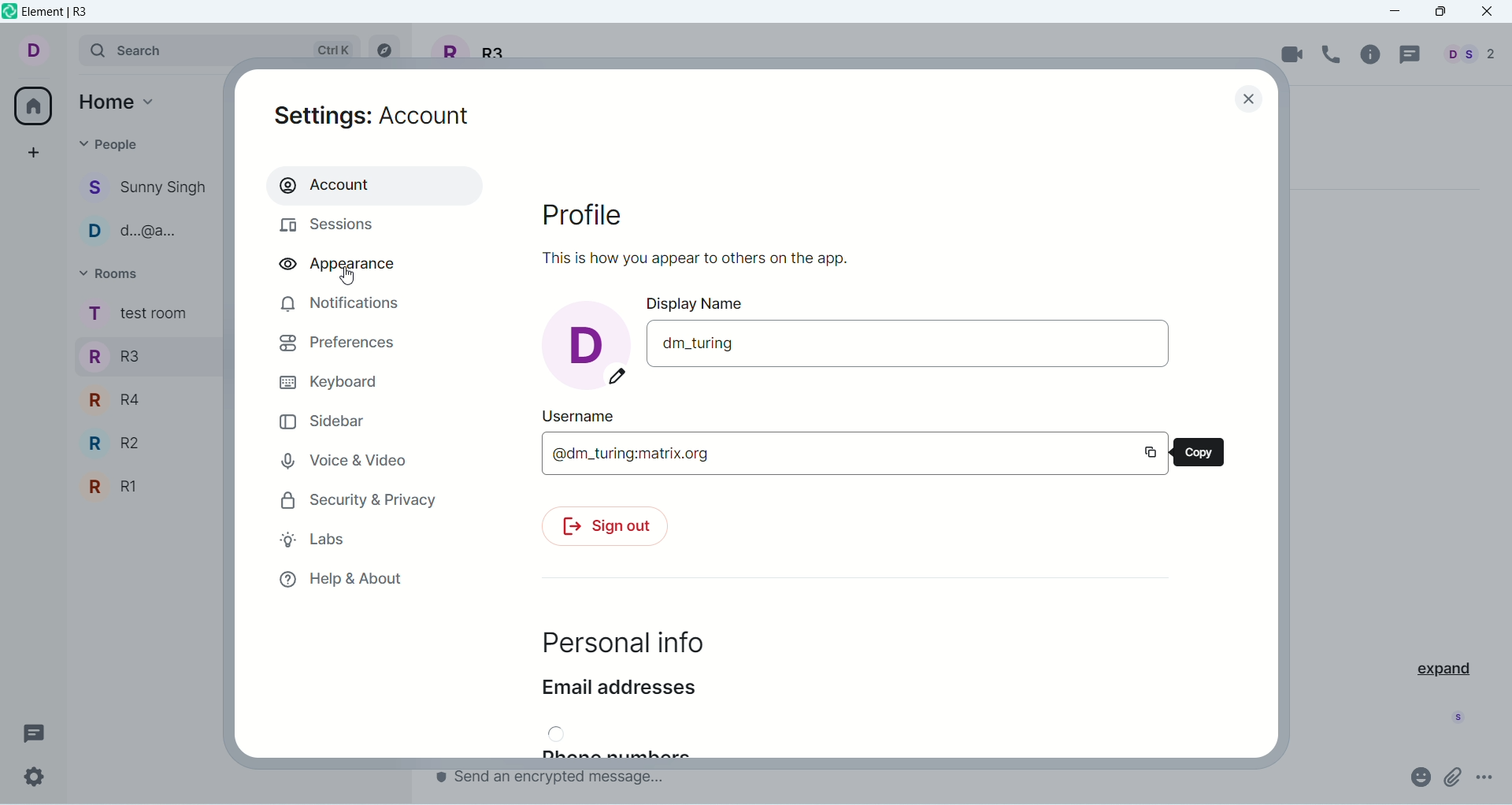  I want to click on room info, so click(1373, 54).